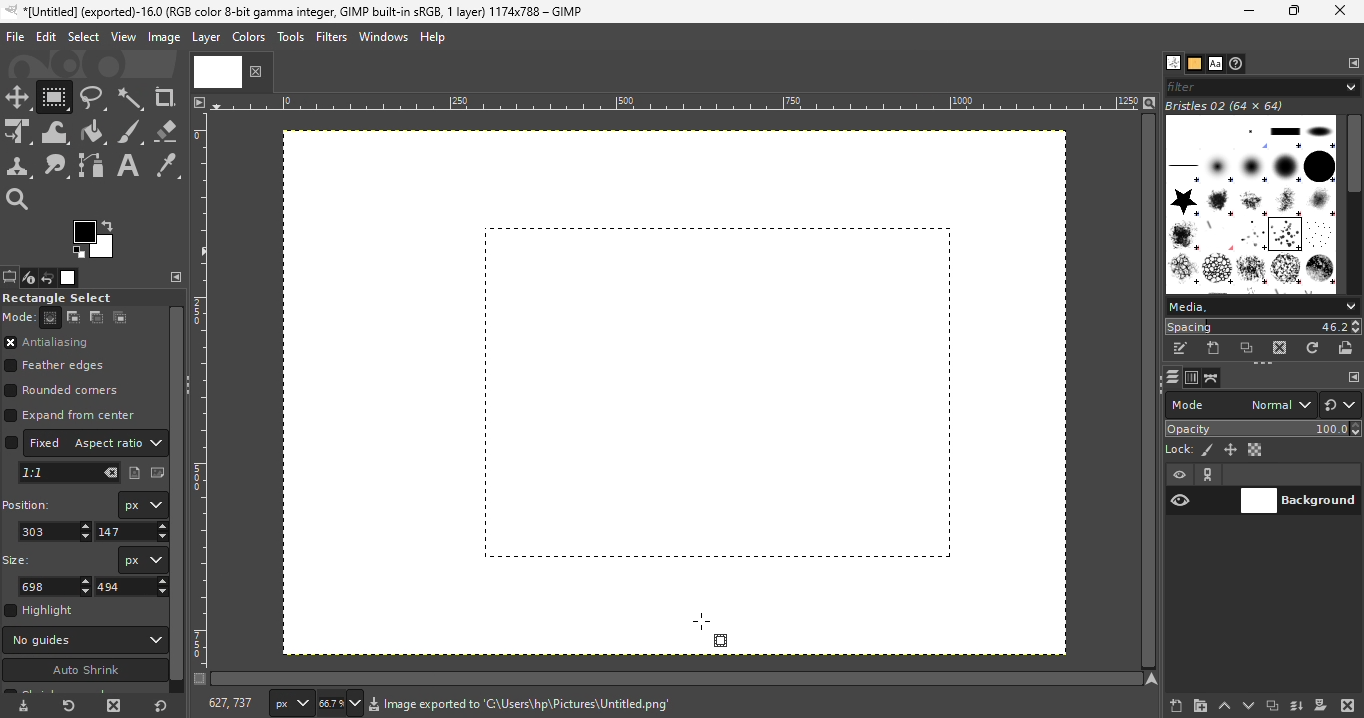 The width and height of the screenshot is (1364, 718). Describe the element at coordinates (257, 71) in the screenshot. I see `close tab` at that location.